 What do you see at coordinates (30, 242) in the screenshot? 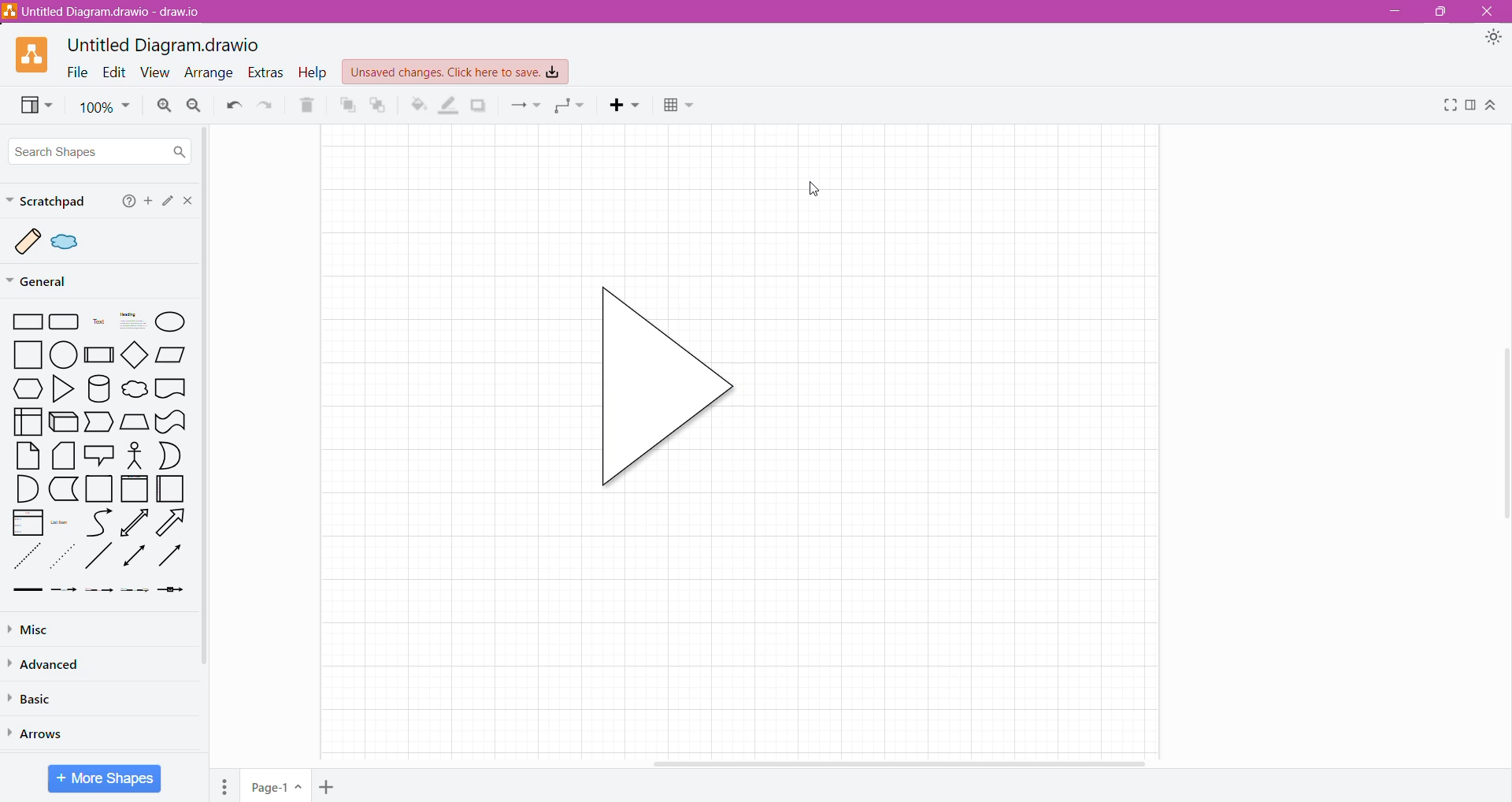
I see `Scratched shape 1` at bounding box center [30, 242].